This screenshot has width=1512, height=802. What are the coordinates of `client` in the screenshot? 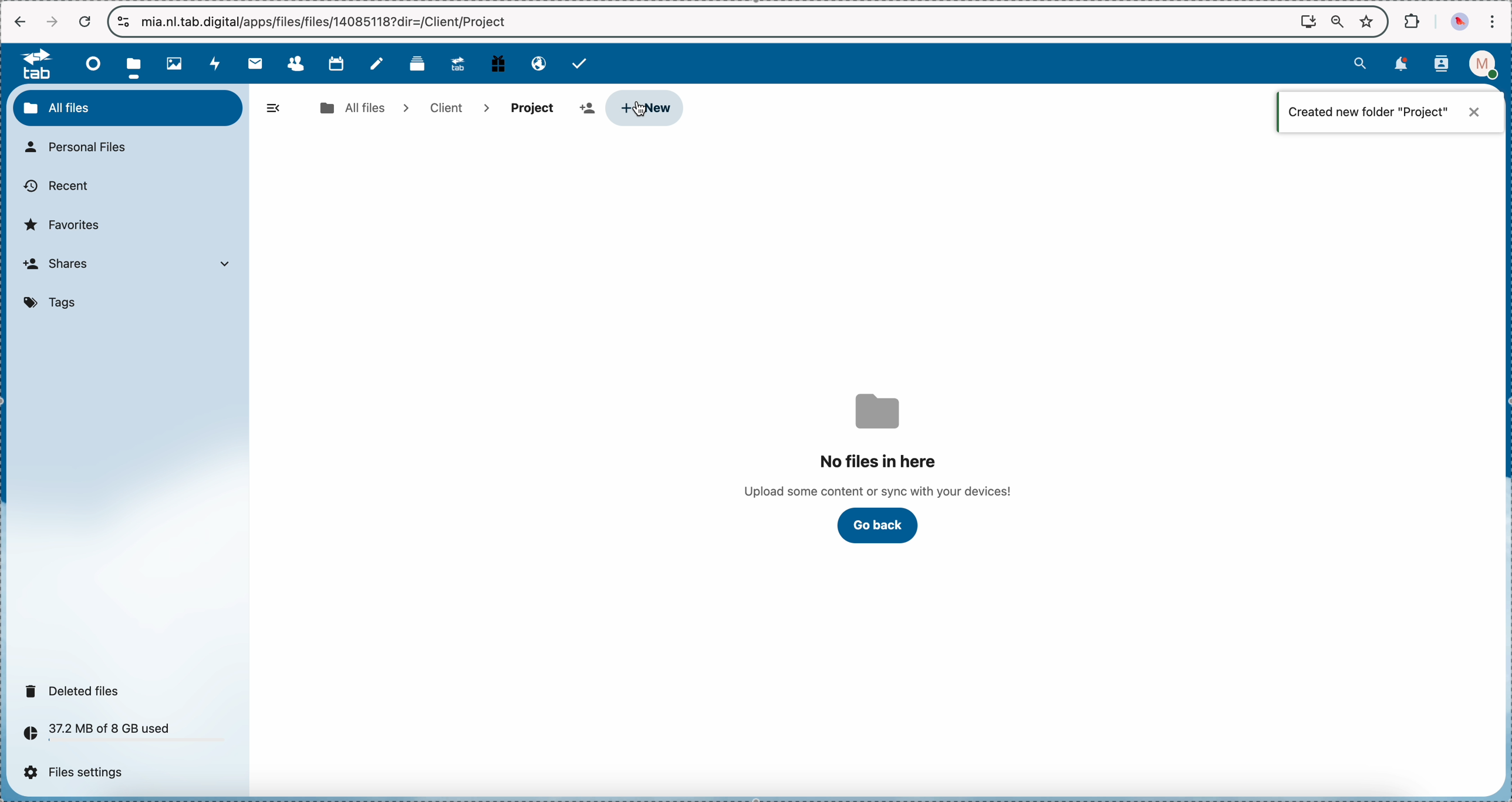 It's located at (455, 107).